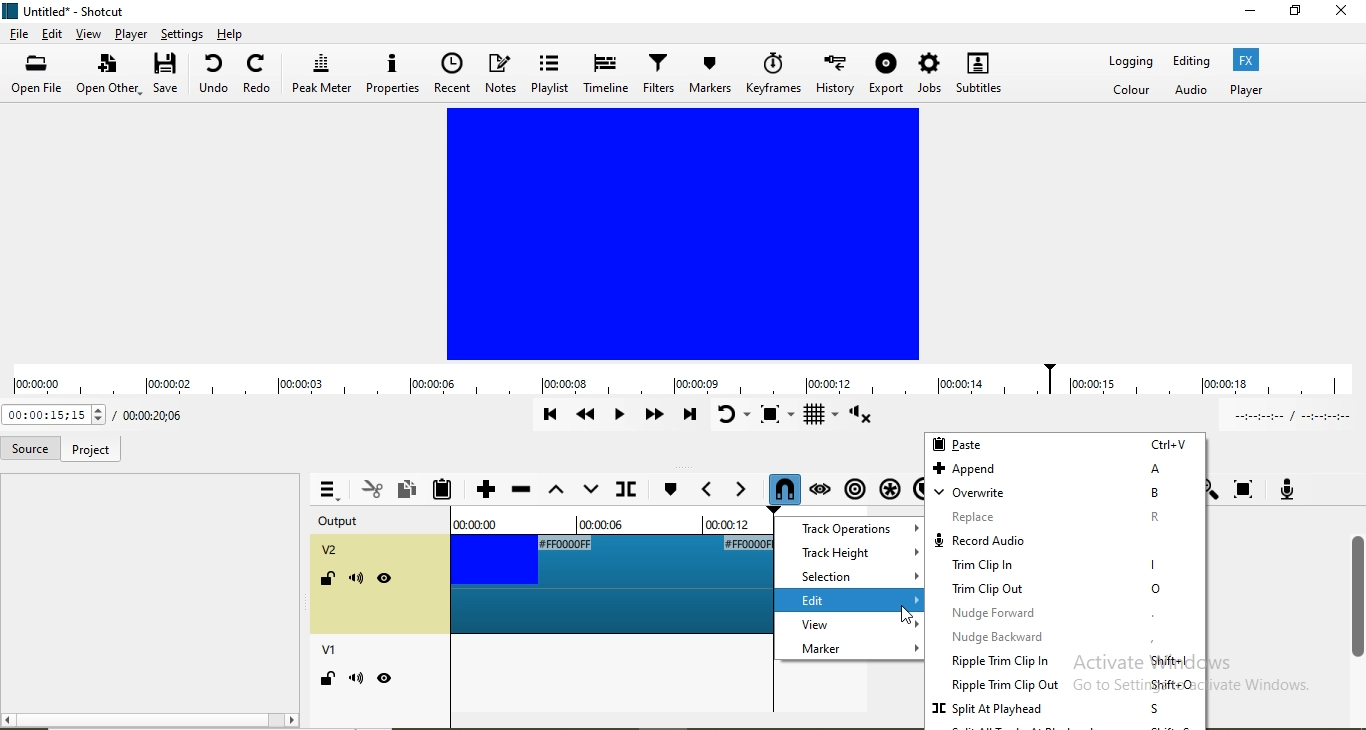  I want to click on lock, so click(326, 581).